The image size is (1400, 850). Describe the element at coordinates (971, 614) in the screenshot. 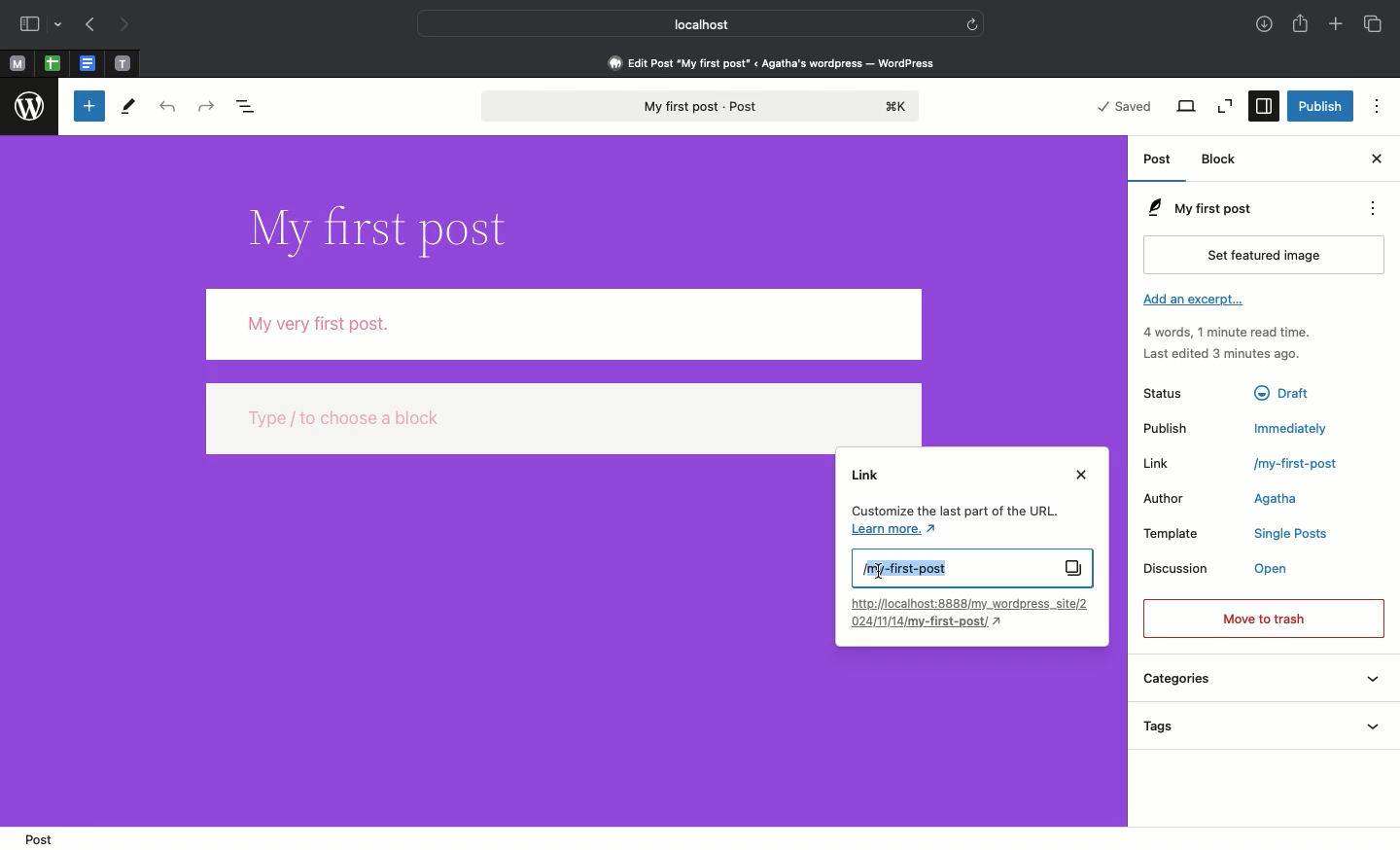

I see `Link` at that location.